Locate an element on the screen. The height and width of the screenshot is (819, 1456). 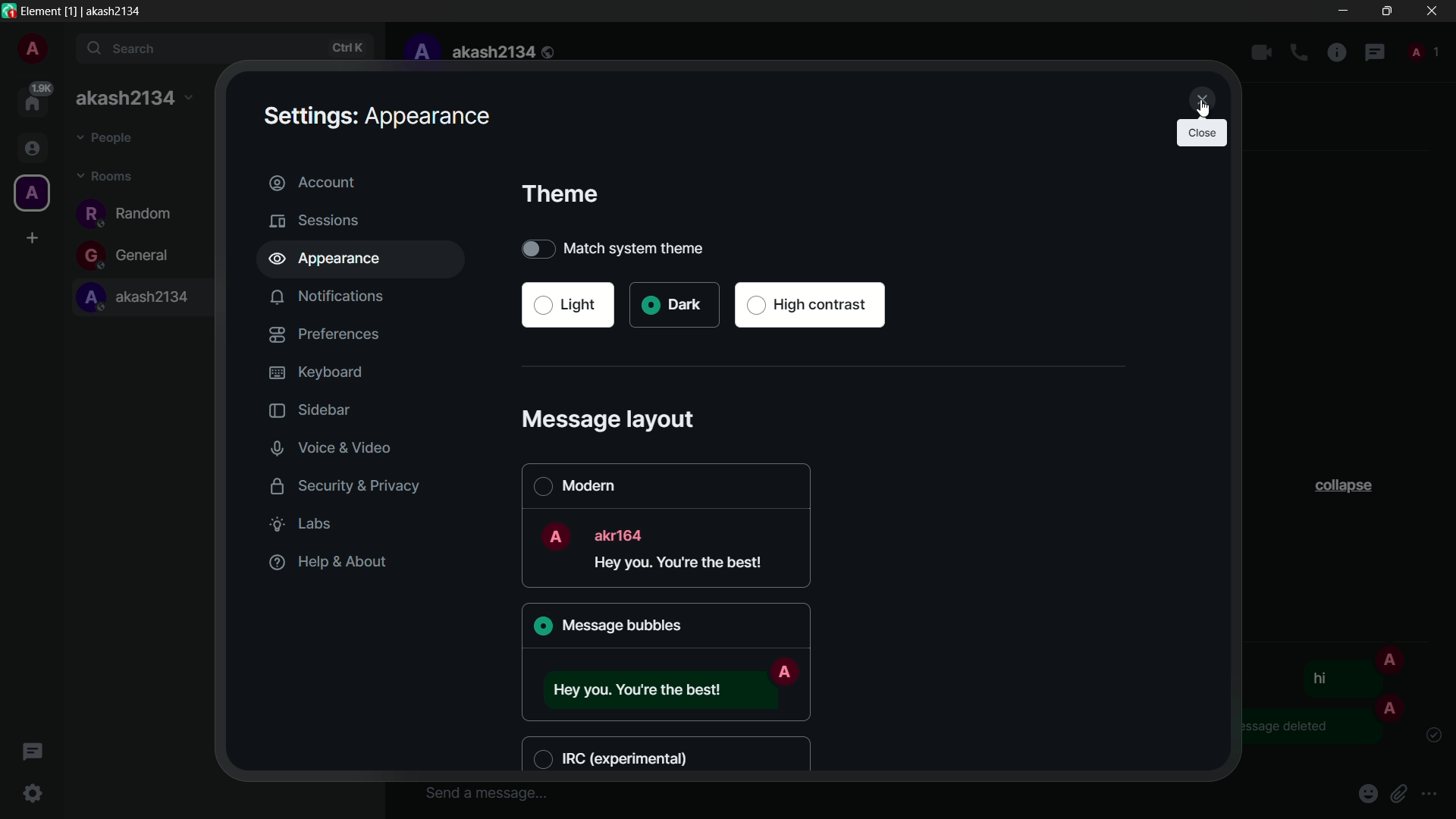
input message is located at coordinates (485, 792).